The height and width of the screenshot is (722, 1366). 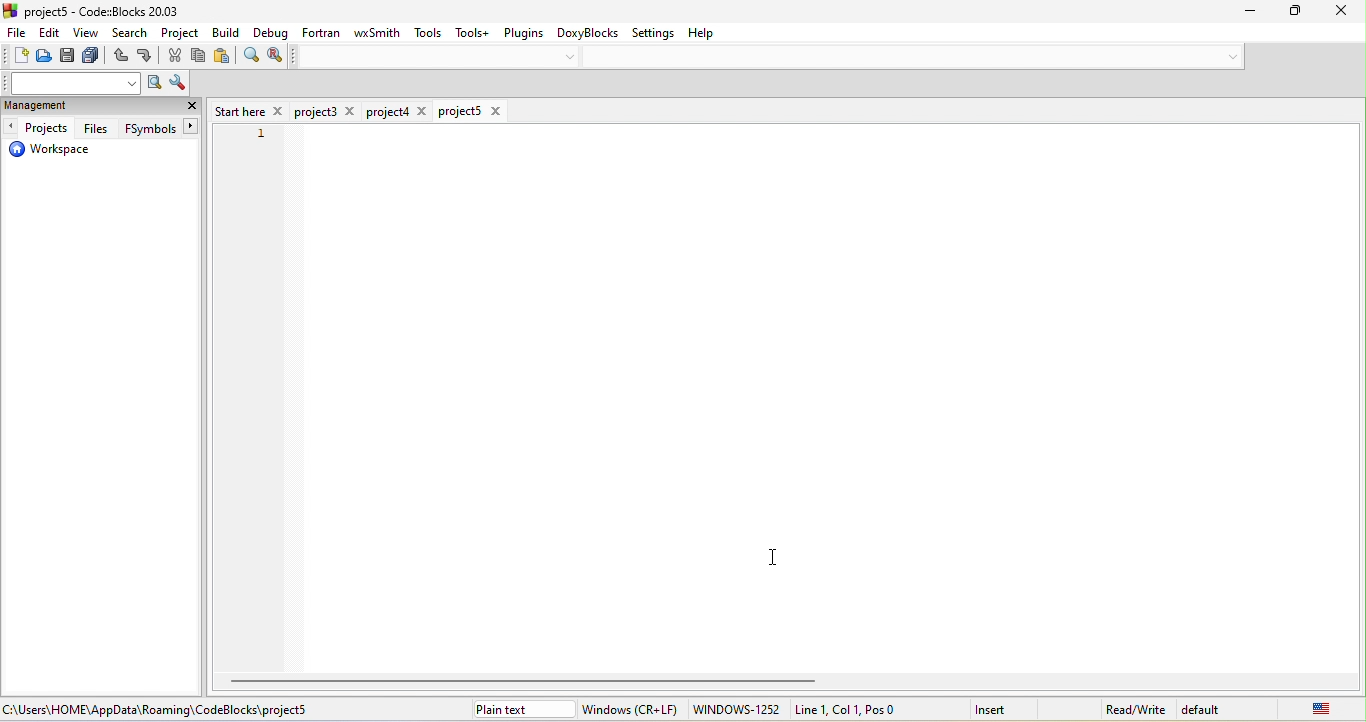 What do you see at coordinates (50, 152) in the screenshot?
I see `workspace` at bounding box center [50, 152].